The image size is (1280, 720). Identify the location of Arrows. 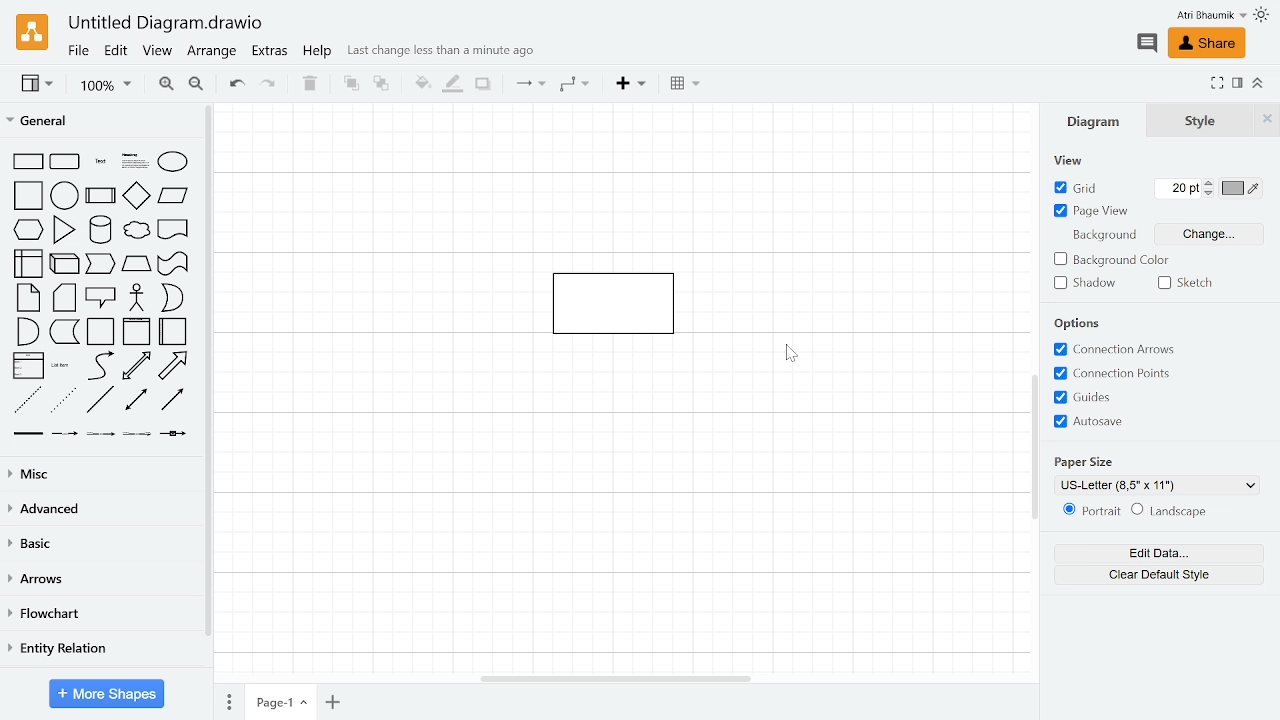
(105, 575).